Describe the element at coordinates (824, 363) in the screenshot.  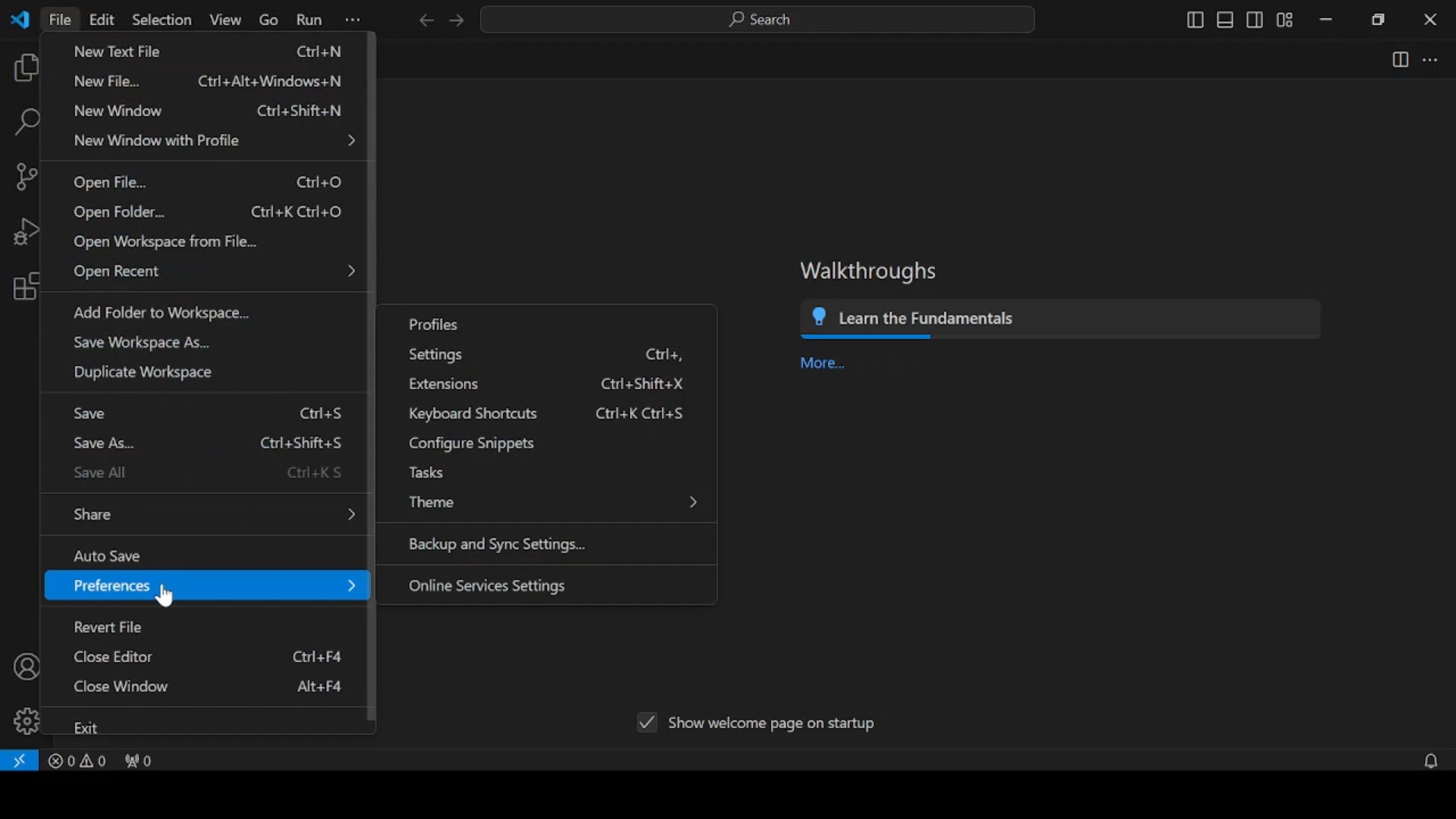
I see `more` at that location.